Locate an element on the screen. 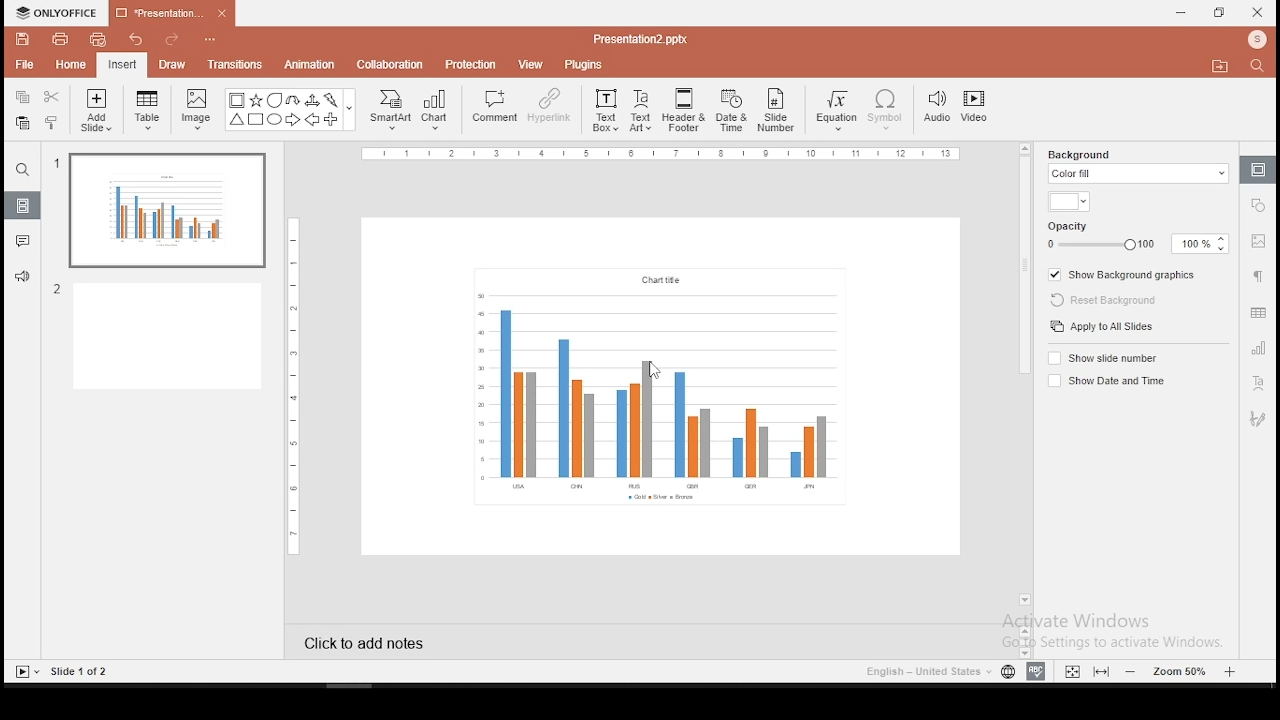 The image size is (1280, 720). text art tool is located at coordinates (1257, 382).